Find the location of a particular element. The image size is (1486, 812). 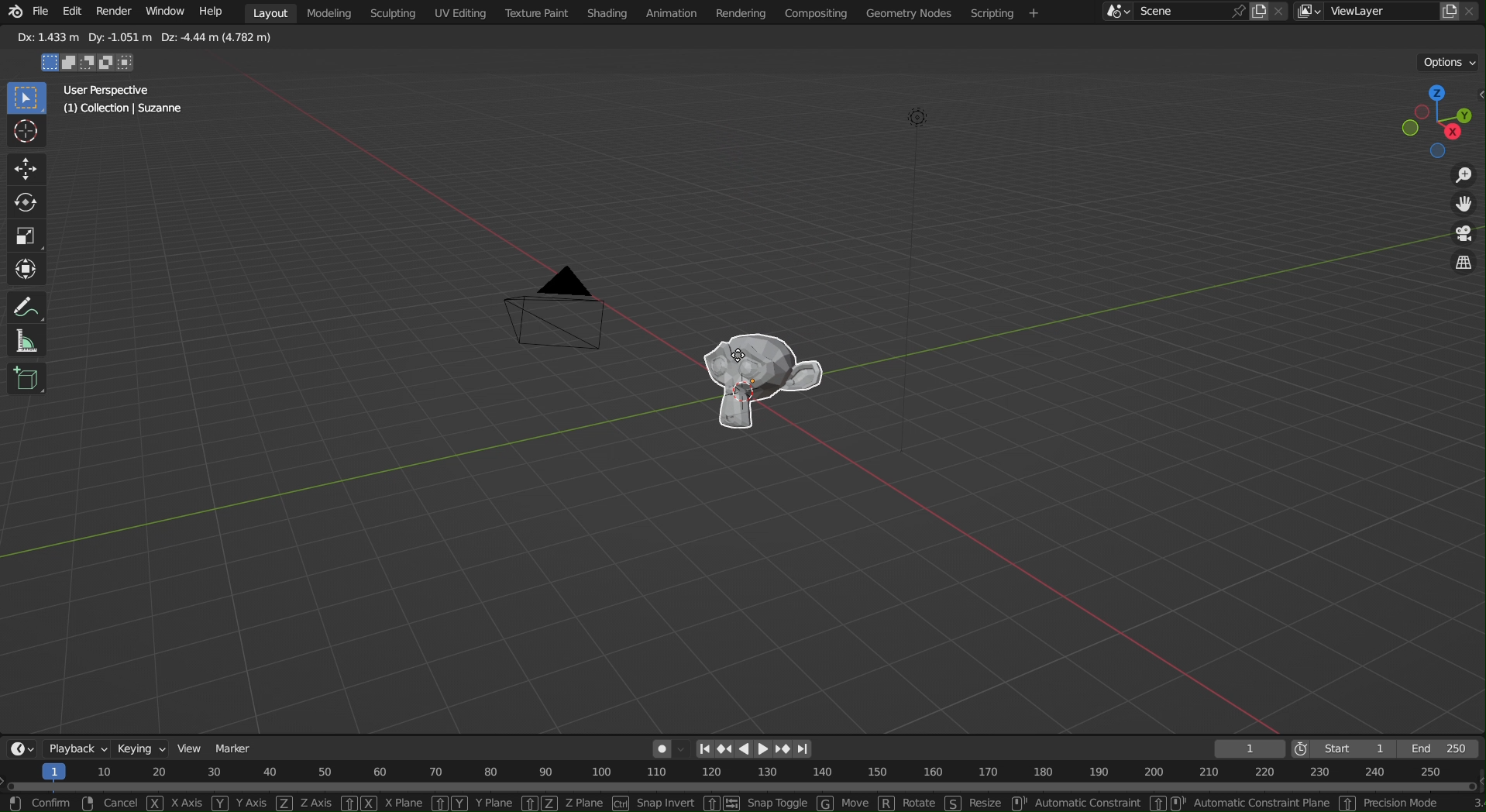

1 is located at coordinates (1250, 749).